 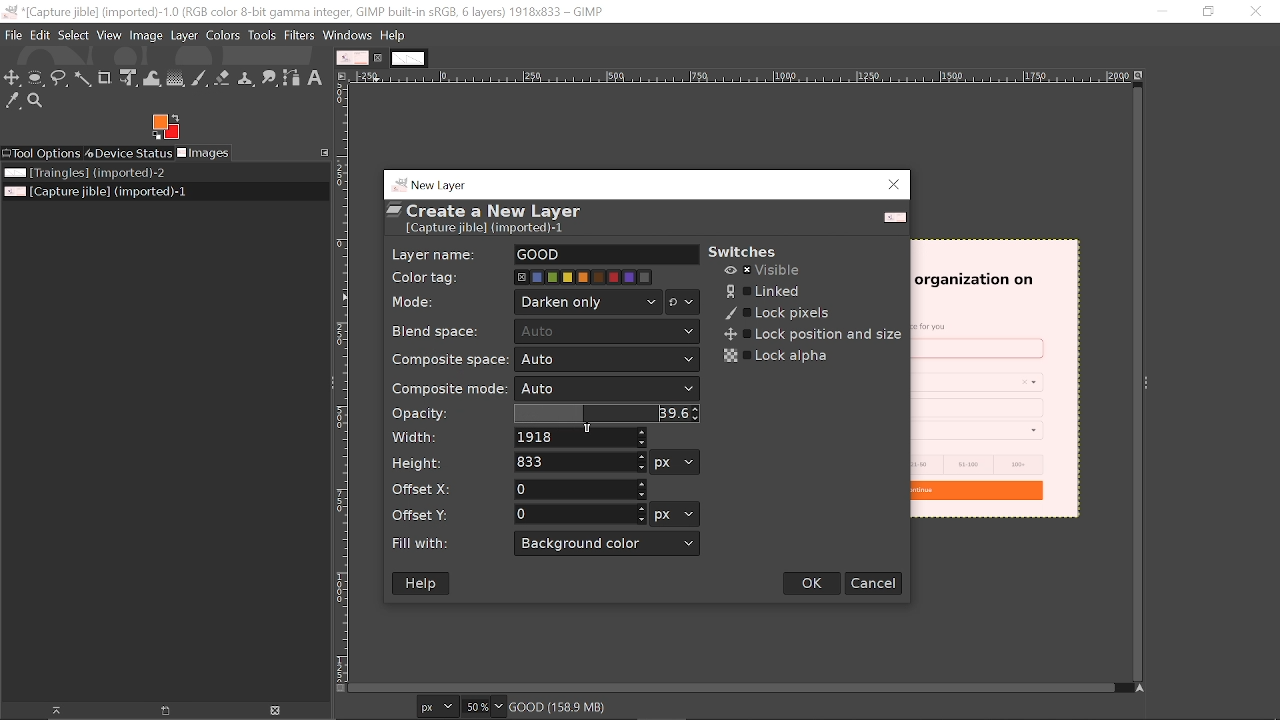 I want to click on Width:, so click(x=416, y=437).